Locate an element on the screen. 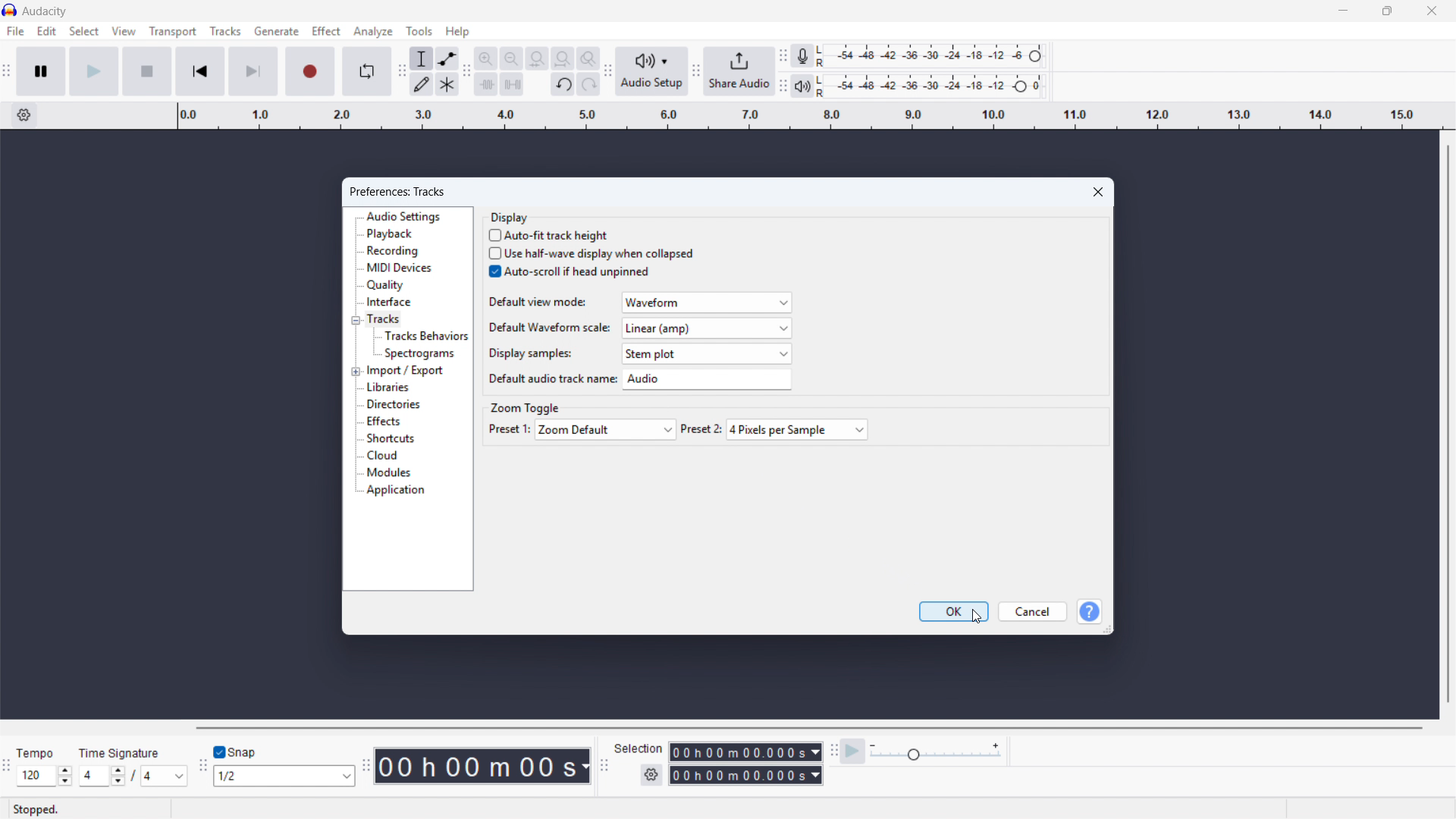  trim audio outside selction is located at coordinates (486, 83).